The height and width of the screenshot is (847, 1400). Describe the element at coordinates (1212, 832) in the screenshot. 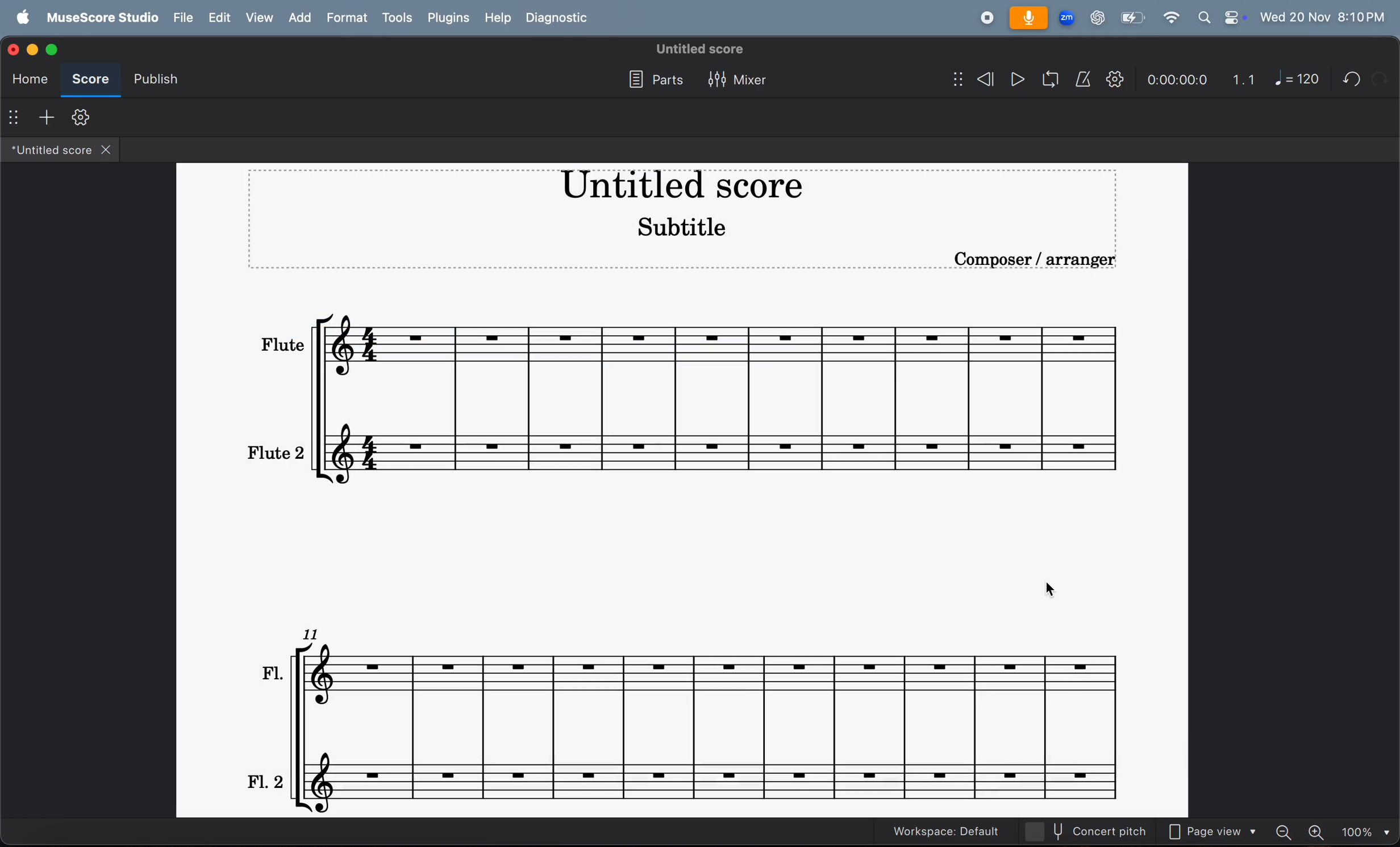

I see `page view` at that location.